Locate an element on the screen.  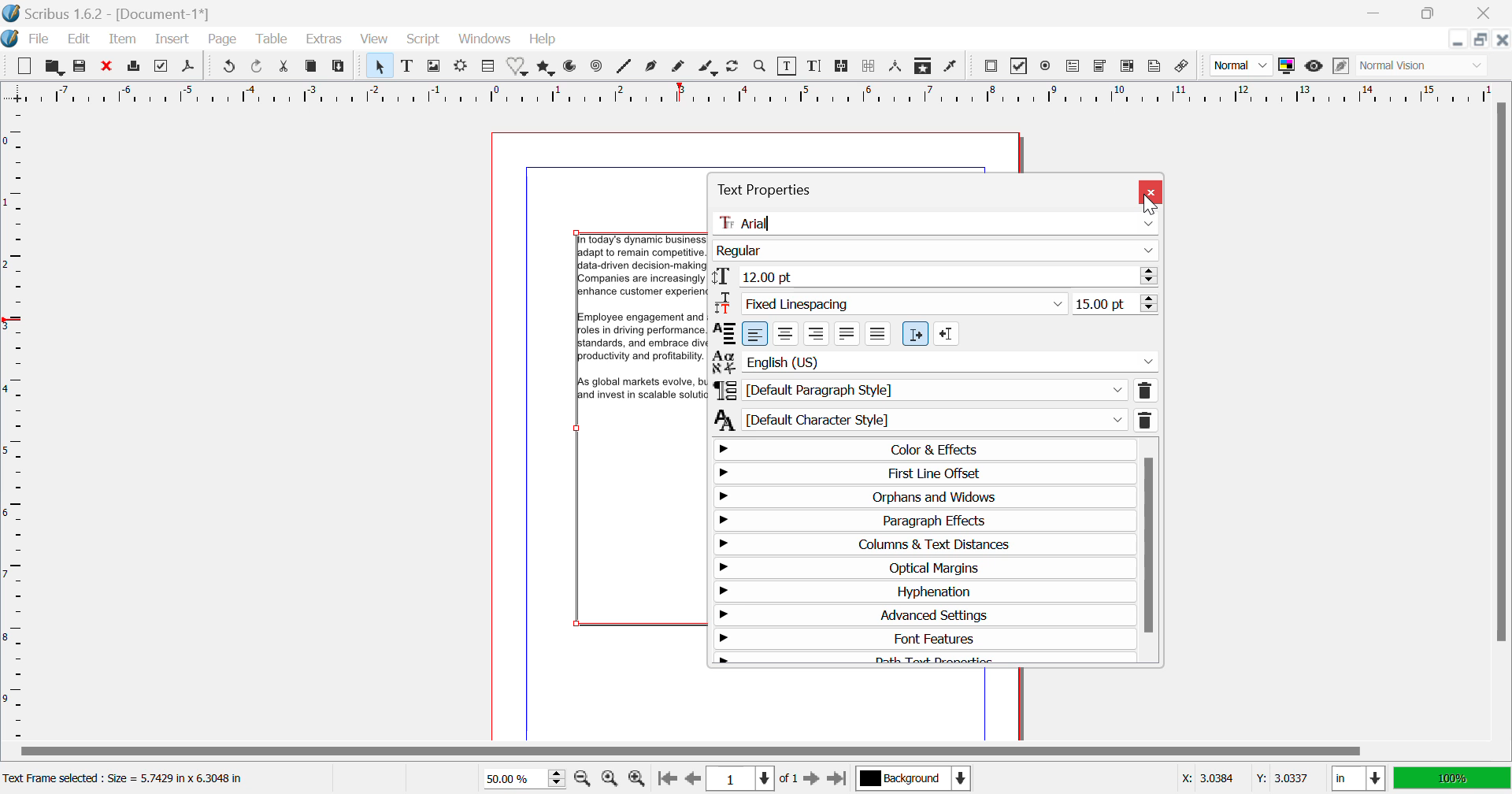
Table is located at coordinates (272, 40).